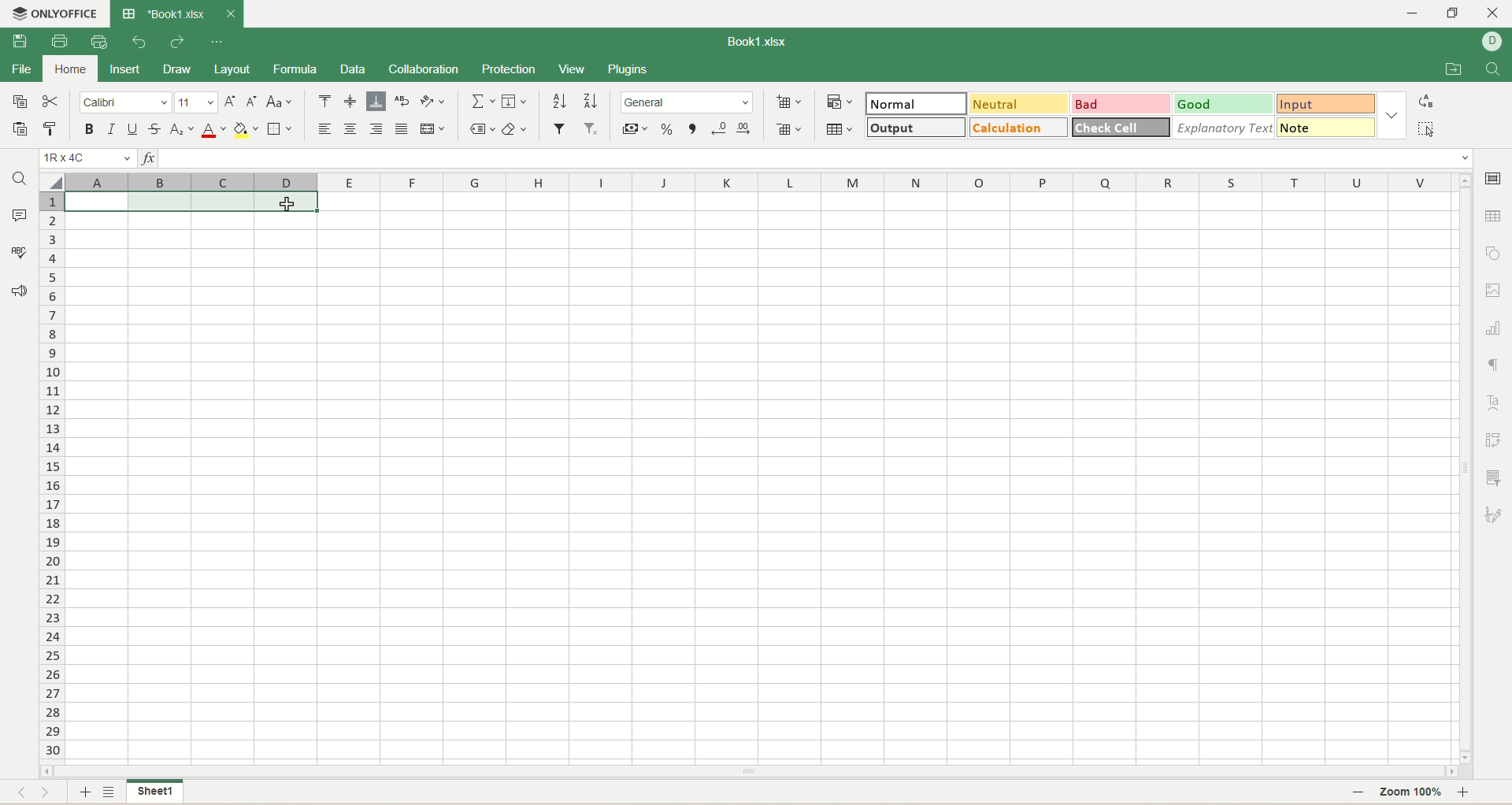 This screenshot has width=1512, height=805. What do you see at coordinates (514, 100) in the screenshot?
I see `fill` at bounding box center [514, 100].